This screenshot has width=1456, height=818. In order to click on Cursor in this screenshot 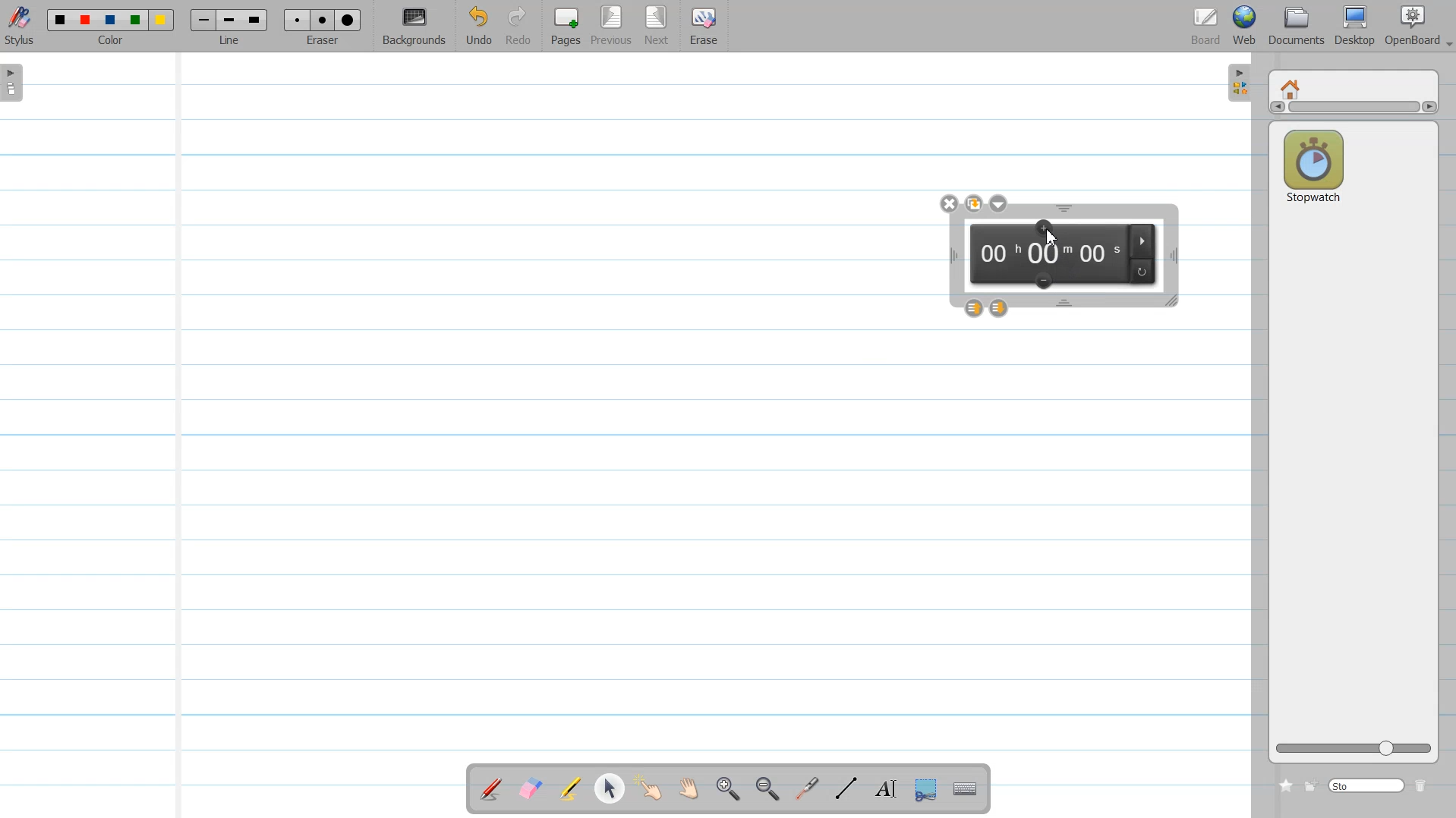, I will do `click(1052, 237)`.